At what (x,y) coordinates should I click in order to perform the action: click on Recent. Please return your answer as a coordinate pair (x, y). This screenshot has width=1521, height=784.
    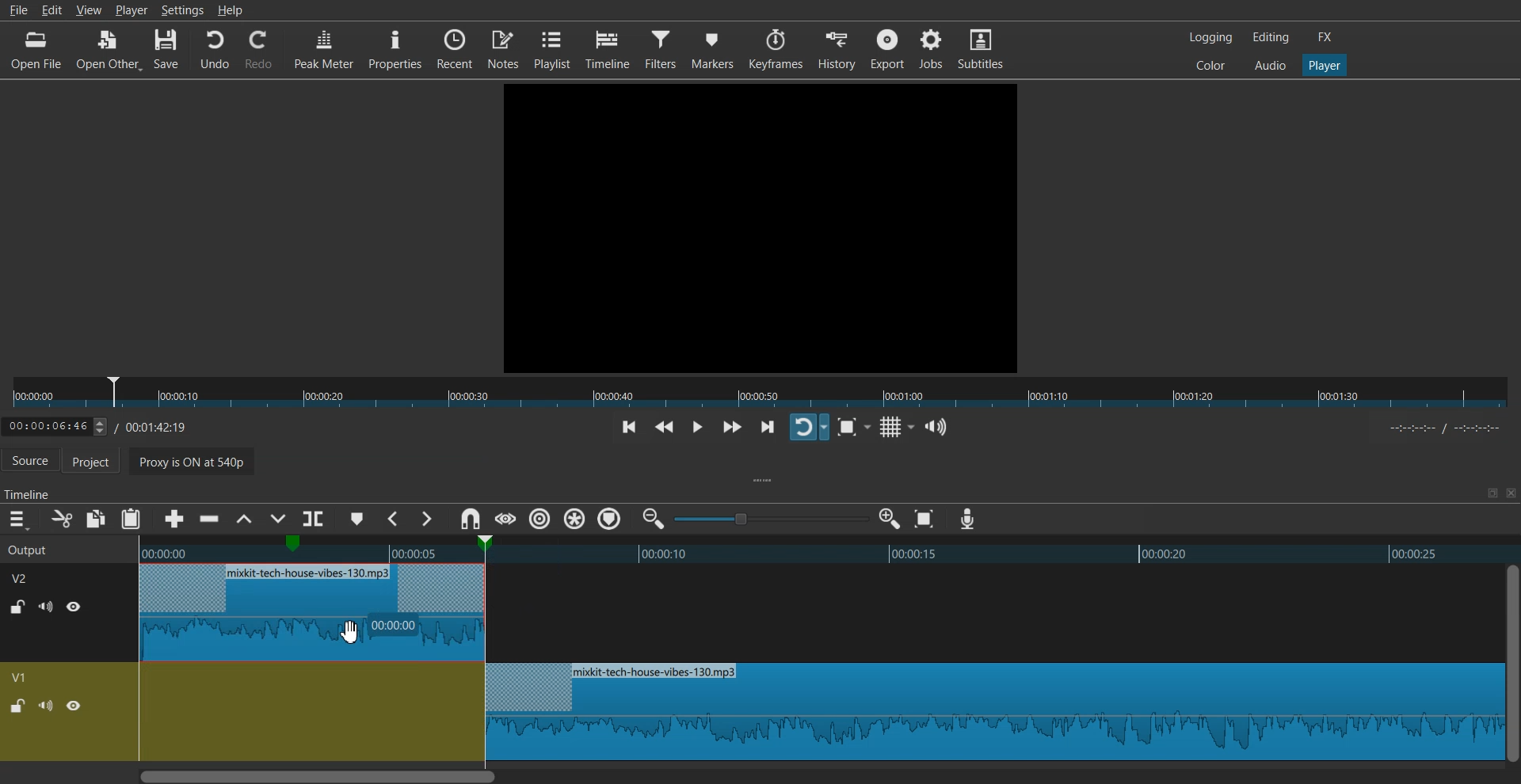
    Looking at the image, I should click on (455, 48).